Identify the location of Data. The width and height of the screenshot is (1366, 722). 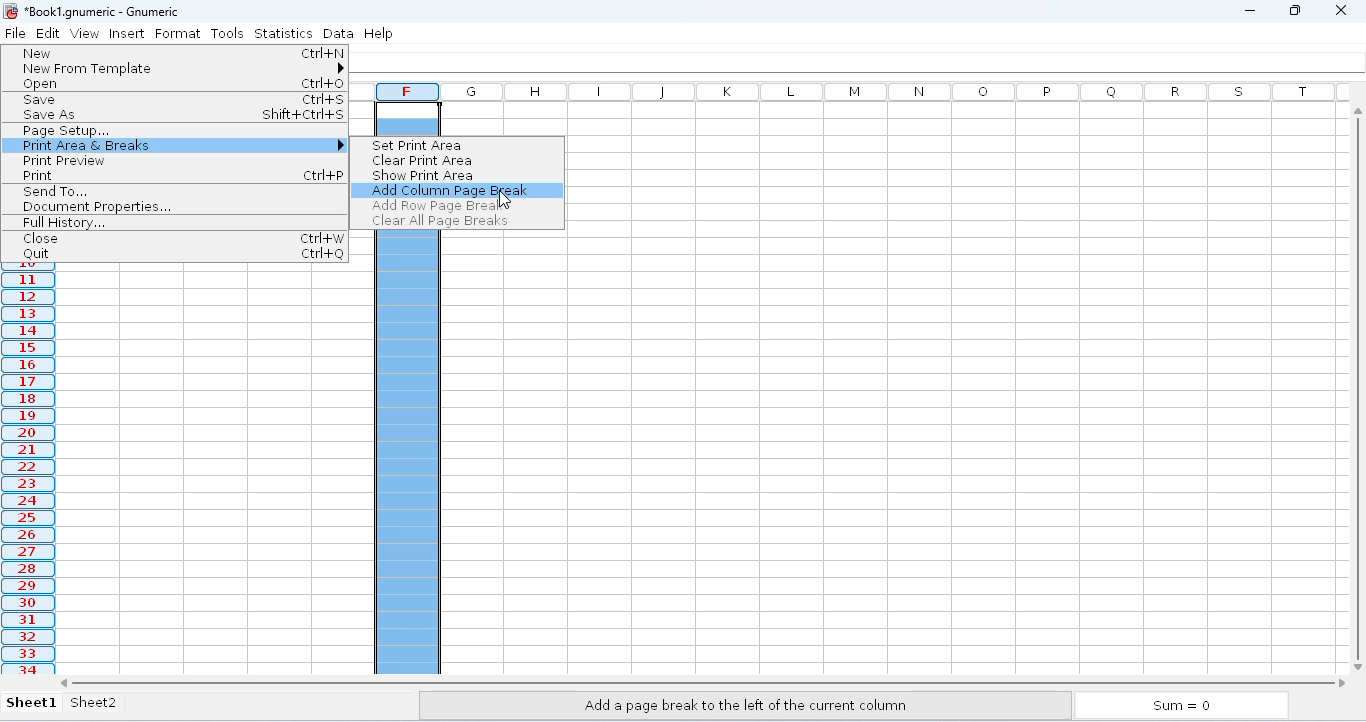
(338, 32).